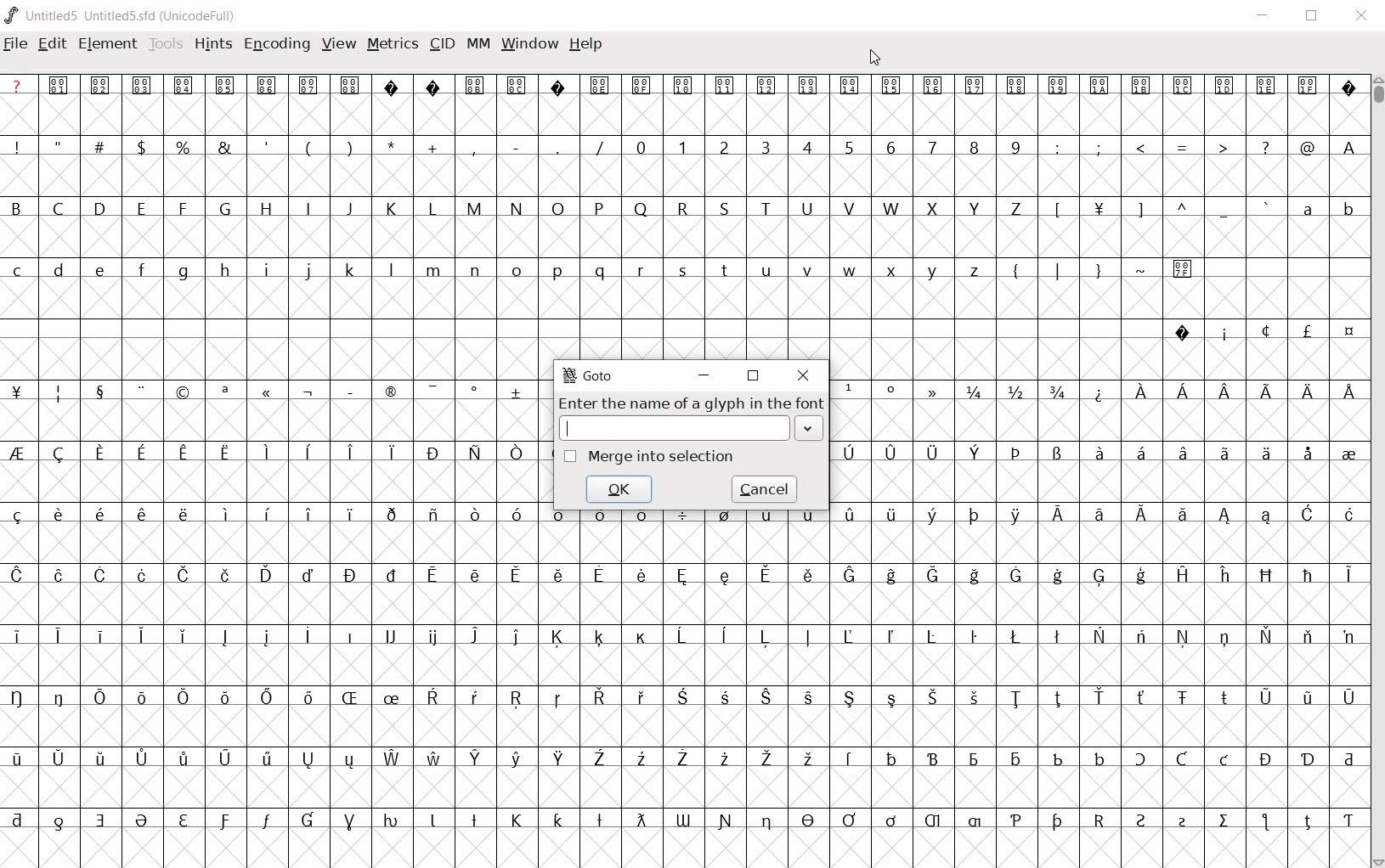 The height and width of the screenshot is (868, 1385). I want to click on 6, so click(890, 147).